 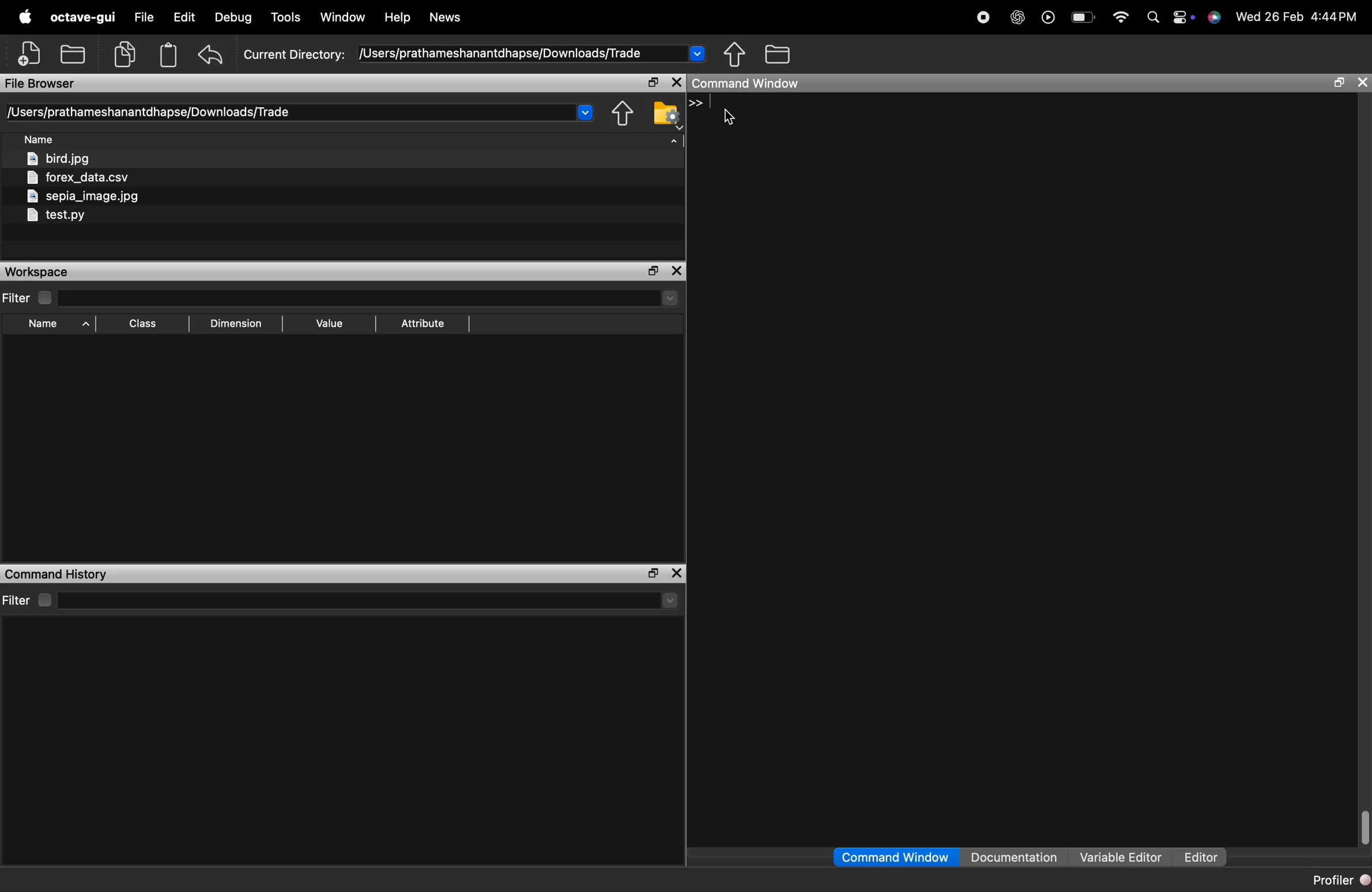 What do you see at coordinates (671, 600) in the screenshot?
I see `Drop-down ` at bounding box center [671, 600].